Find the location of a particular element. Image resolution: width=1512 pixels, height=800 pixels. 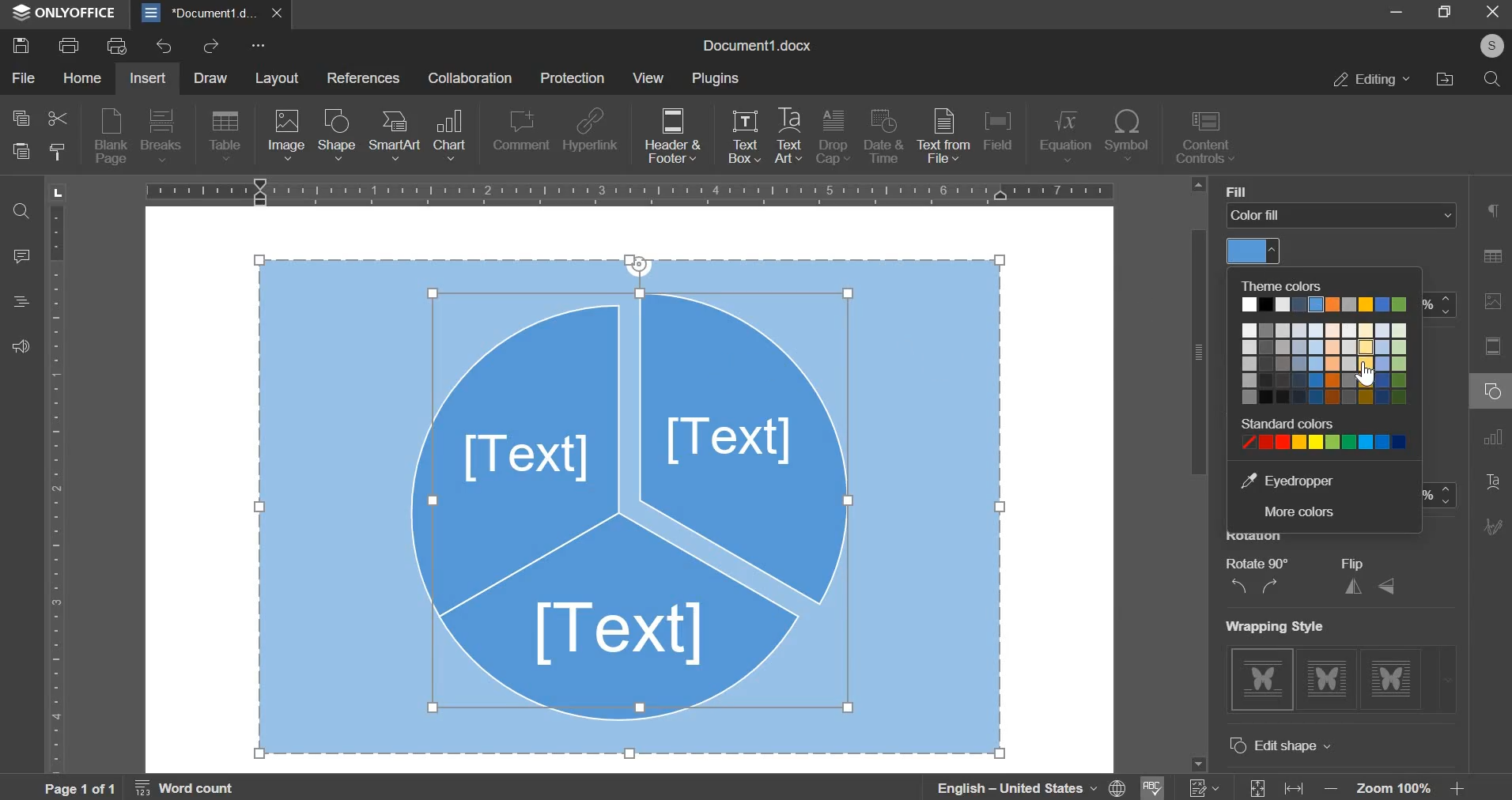

field is located at coordinates (997, 130).